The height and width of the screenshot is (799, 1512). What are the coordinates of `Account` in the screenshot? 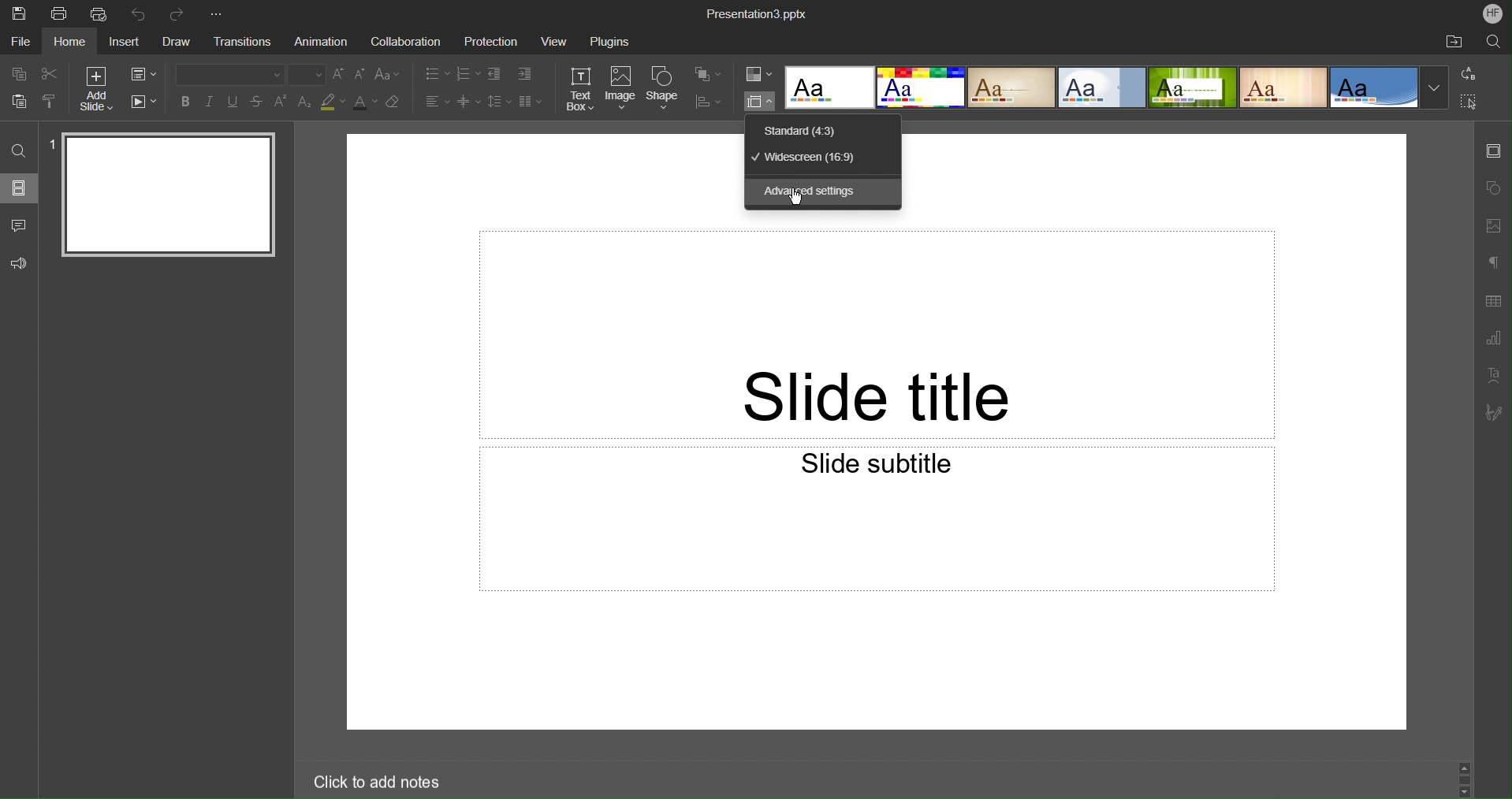 It's located at (1493, 13).